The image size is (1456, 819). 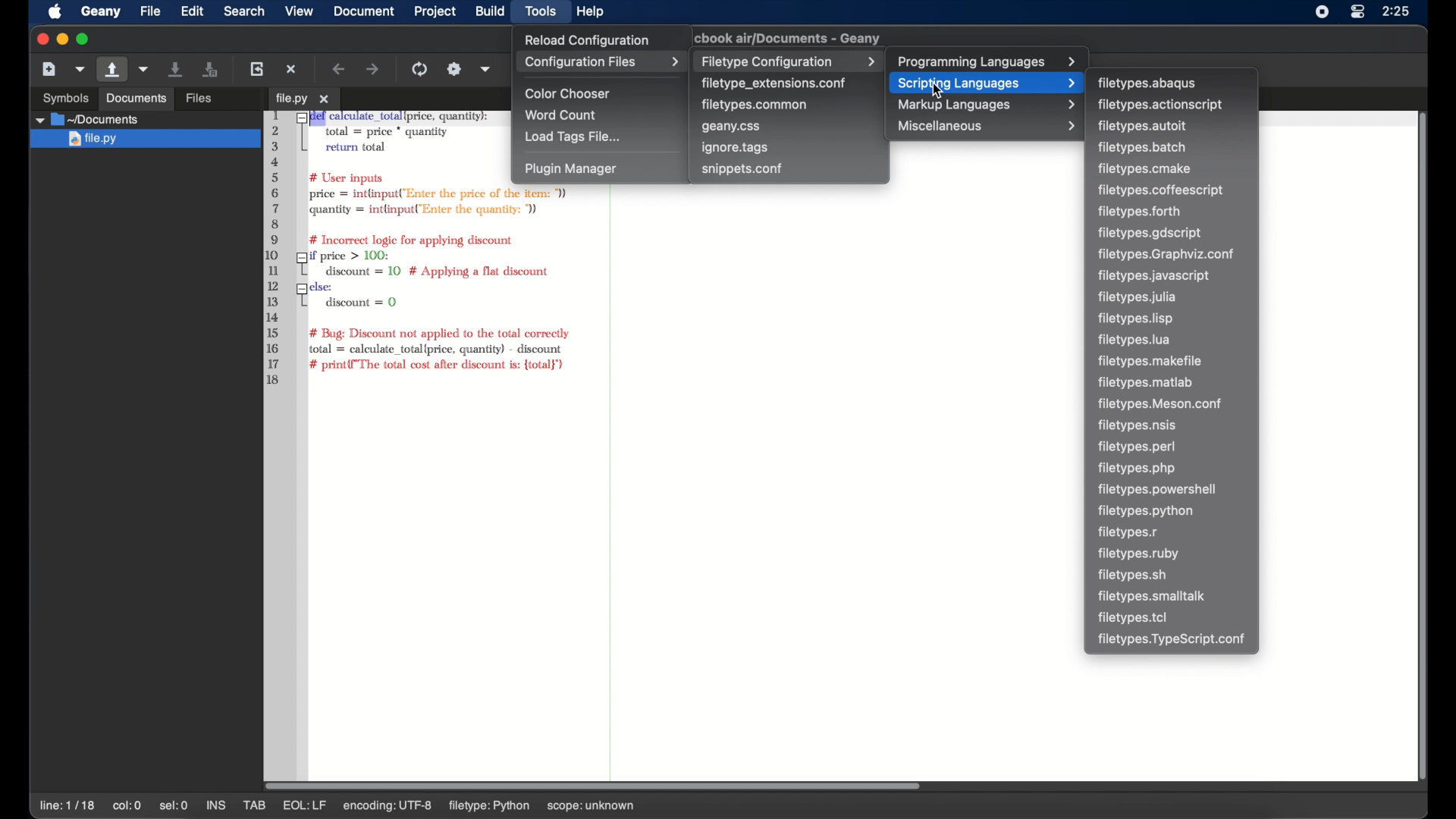 I want to click on close, so click(x=40, y=39).